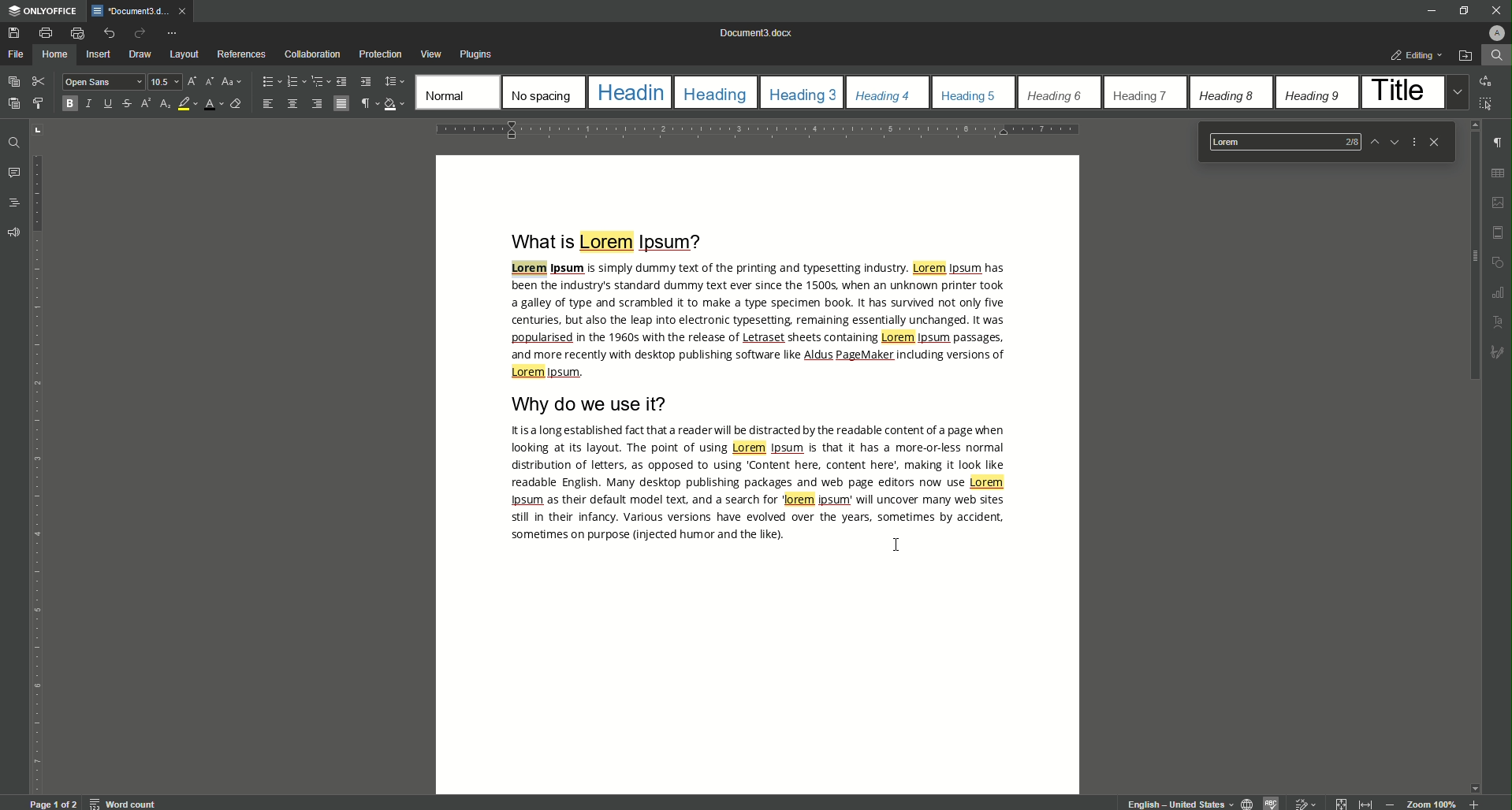  Describe the element at coordinates (759, 321) in the screenshot. I see `Text` at that location.